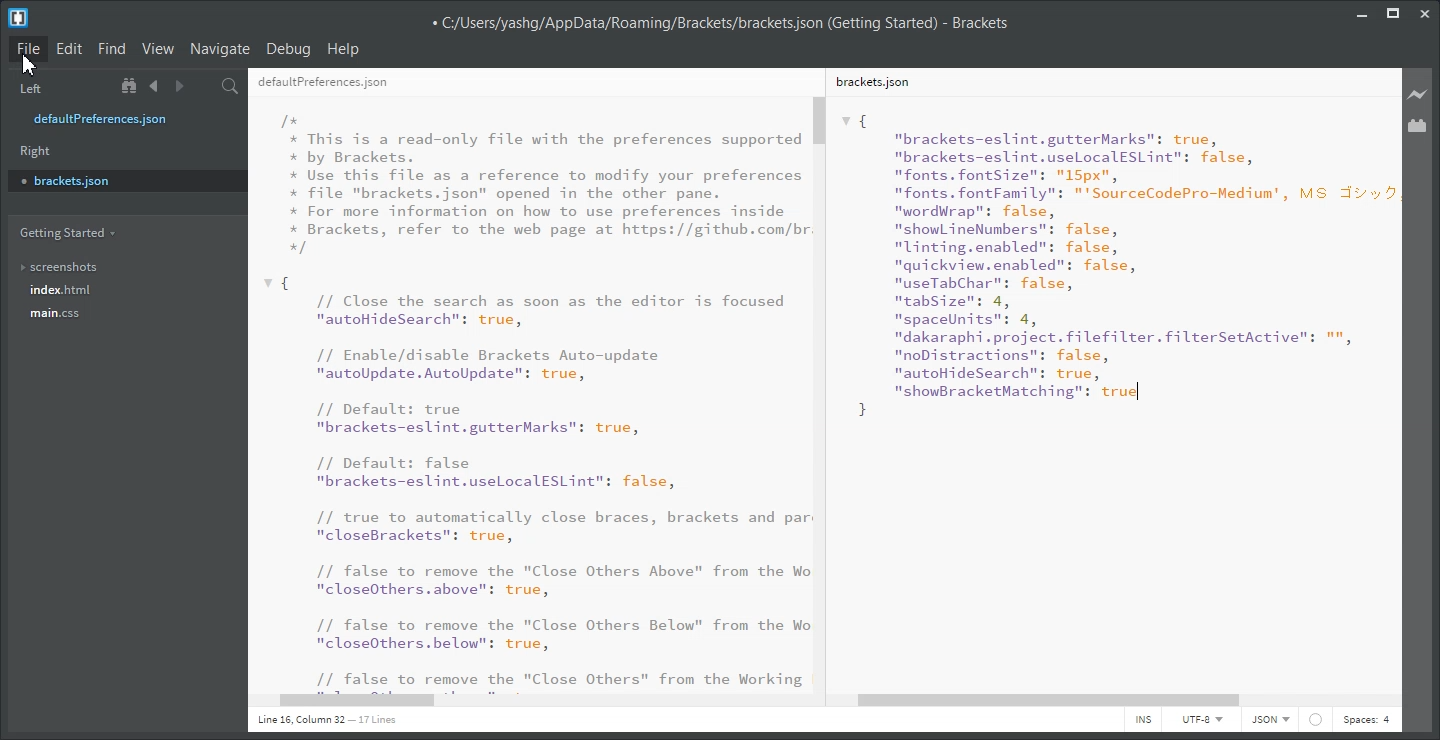  Describe the element at coordinates (113, 119) in the screenshot. I see `defaultPreferences.json` at that location.